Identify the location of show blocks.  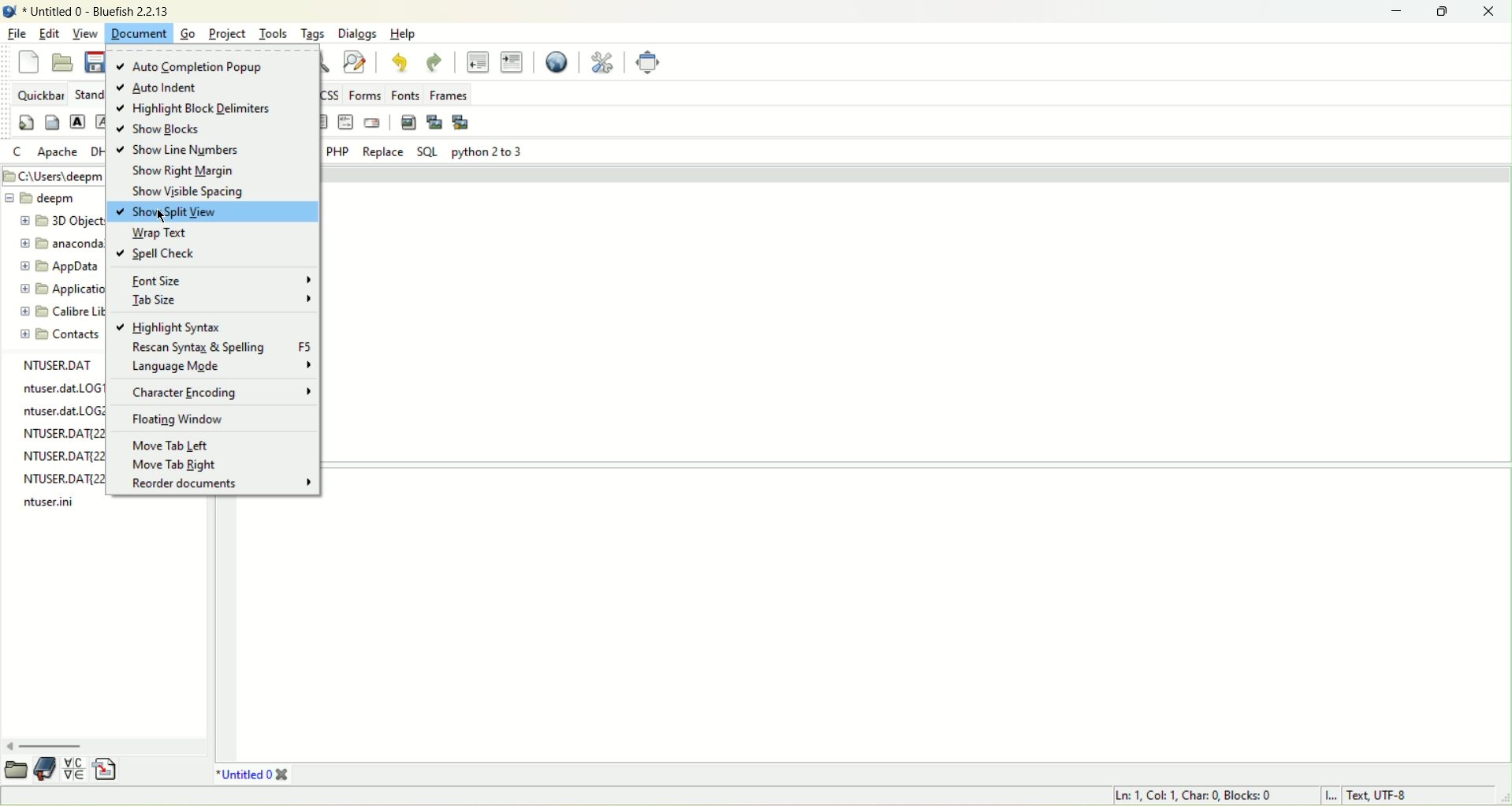
(191, 129).